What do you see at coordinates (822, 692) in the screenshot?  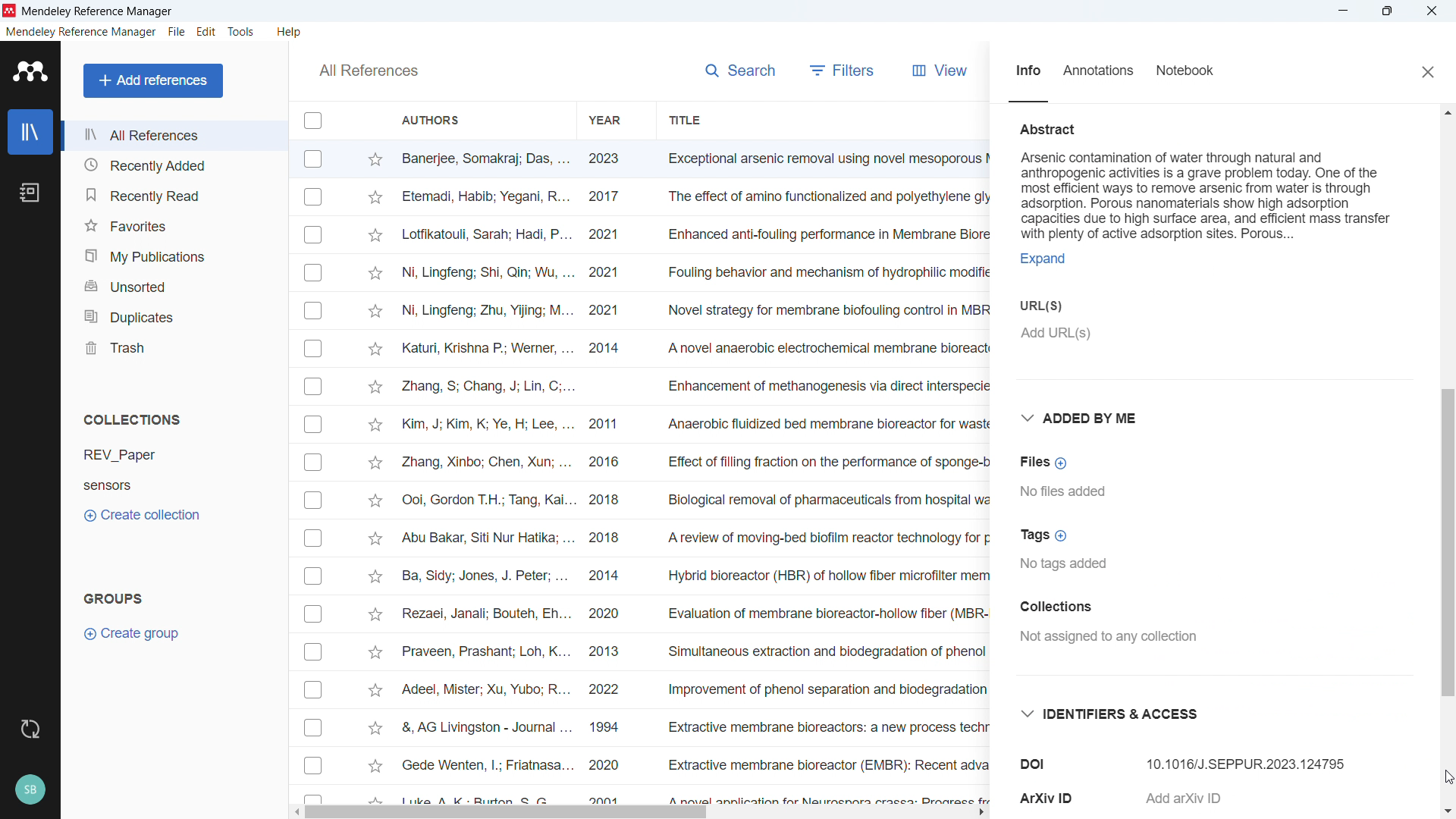 I see `improvement of phenol separation and biodegradation from saline wastewater` at bounding box center [822, 692].